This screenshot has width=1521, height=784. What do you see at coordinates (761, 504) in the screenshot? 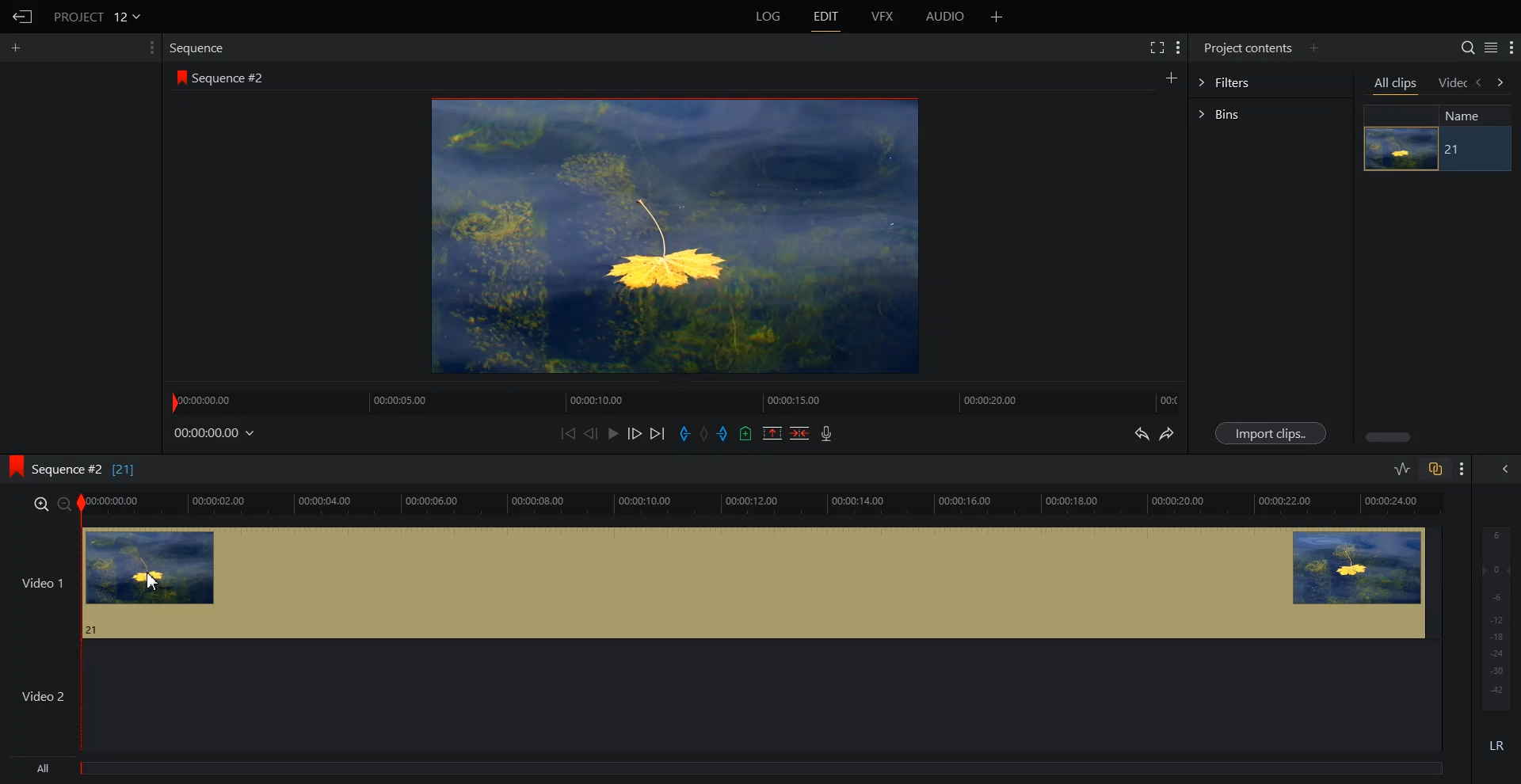
I see `Timeline` at bounding box center [761, 504].